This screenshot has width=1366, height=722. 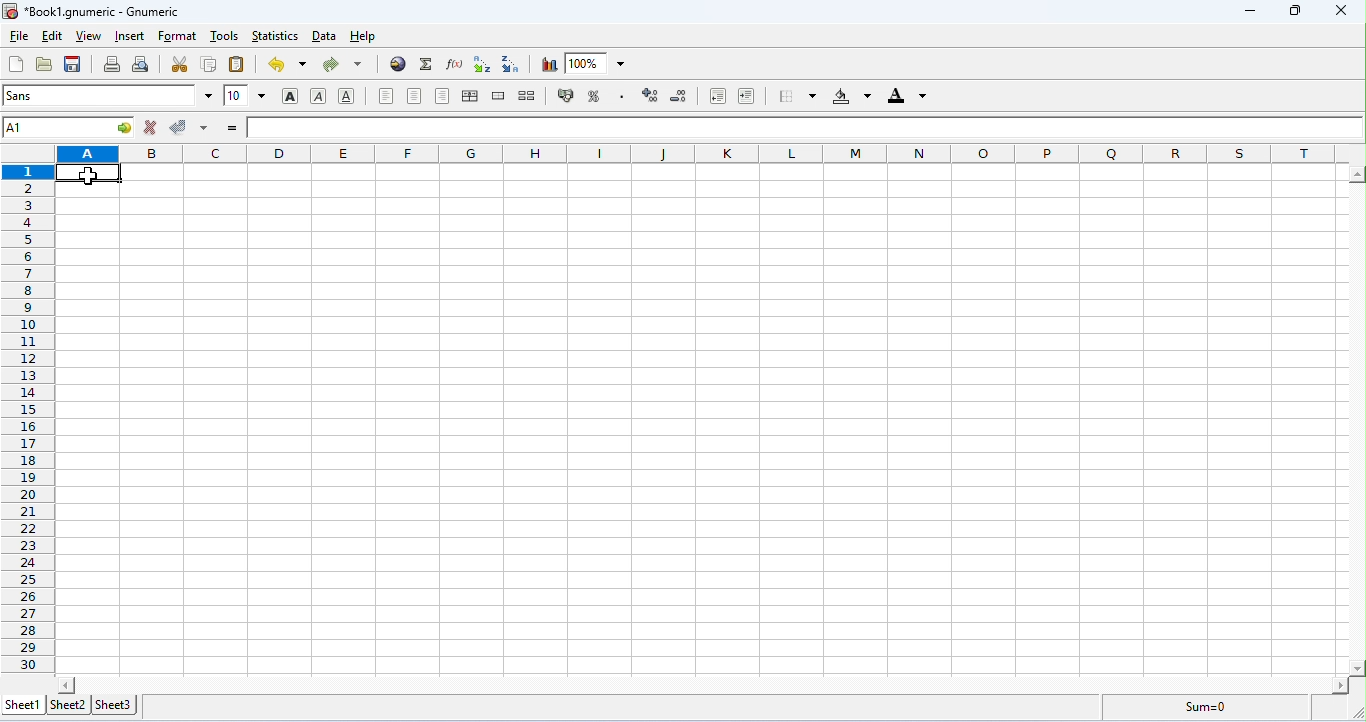 What do you see at coordinates (112, 64) in the screenshot?
I see `print` at bounding box center [112, 64].